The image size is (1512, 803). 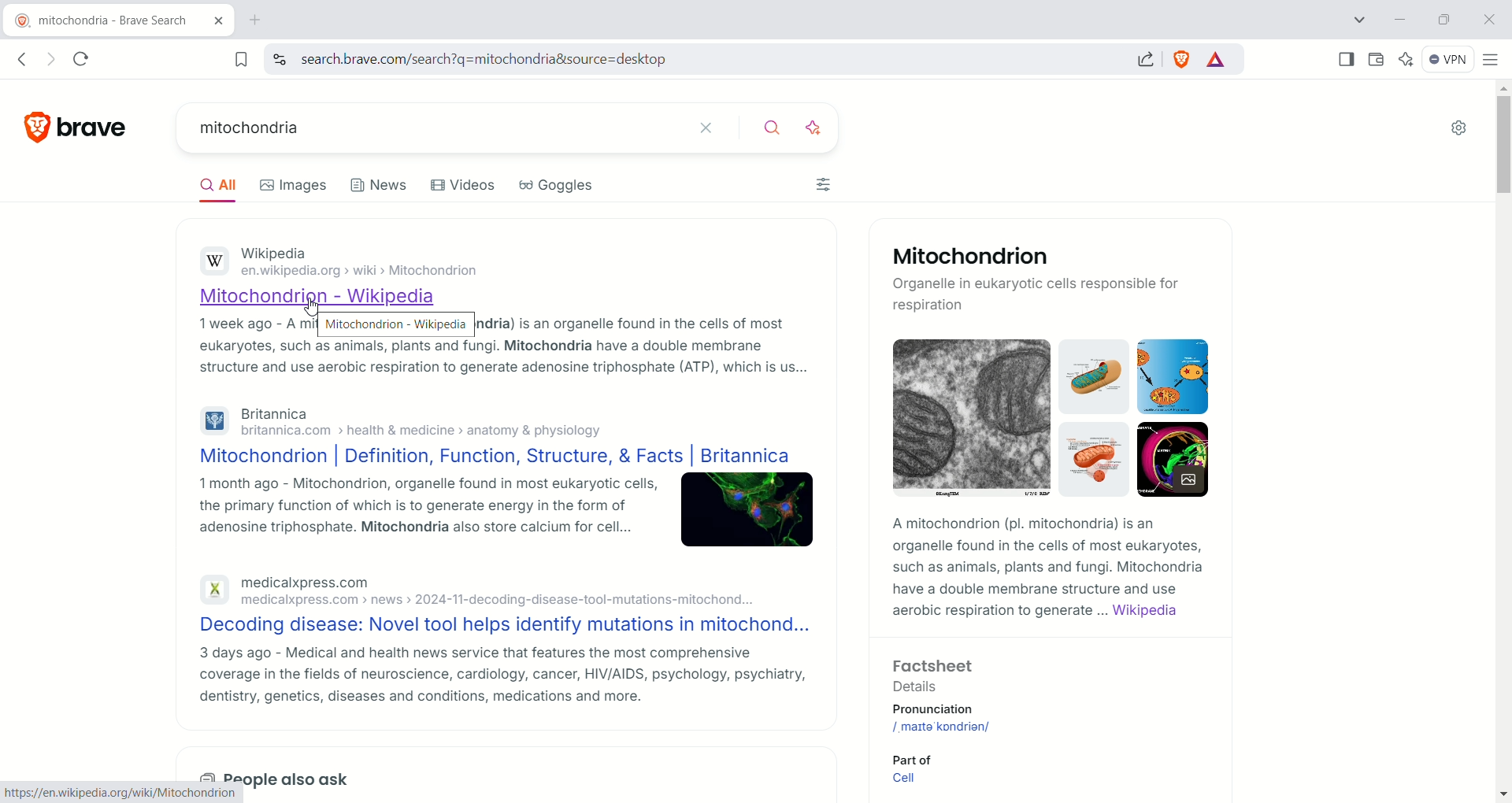 I want to click on eukaryotes, such as animals, plants and fungi. Mitochondria have a double membrane
structure and use aerobic respiration to generate adenosine triphosphate (ATP), which is us..., so click(x=498, y=358).